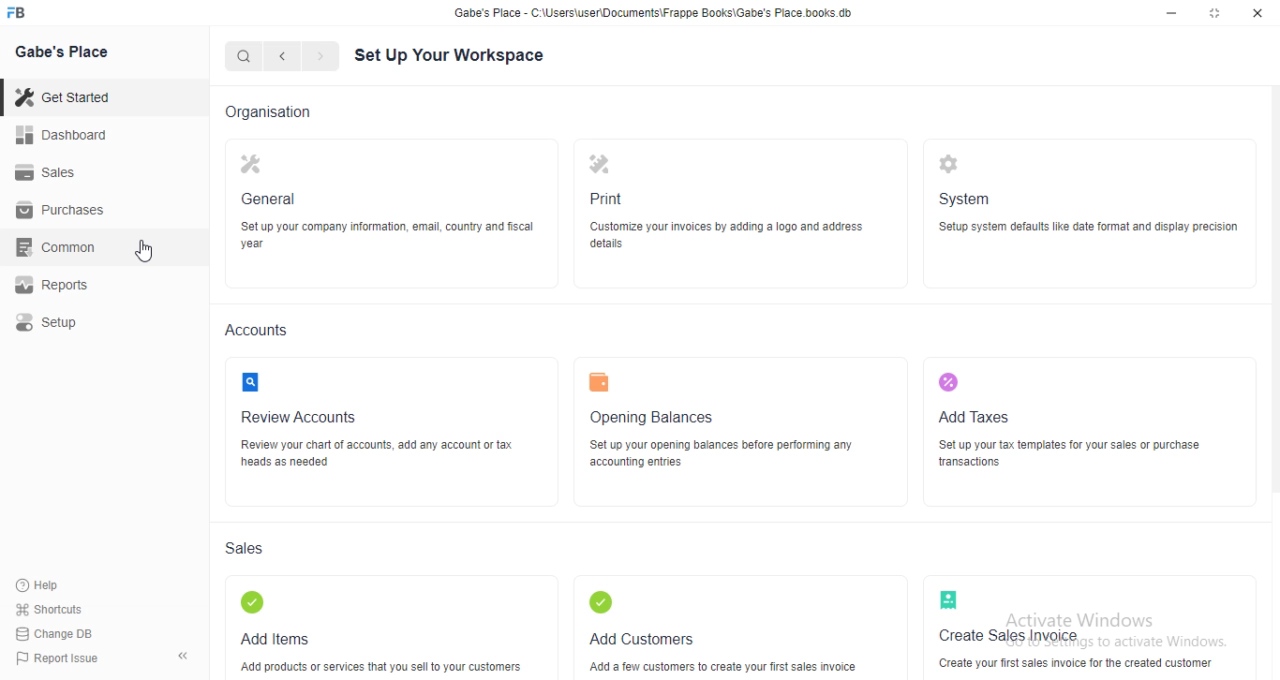 This screenshot has height=680, width=1280. I want to click on Help, so click(46, 585).